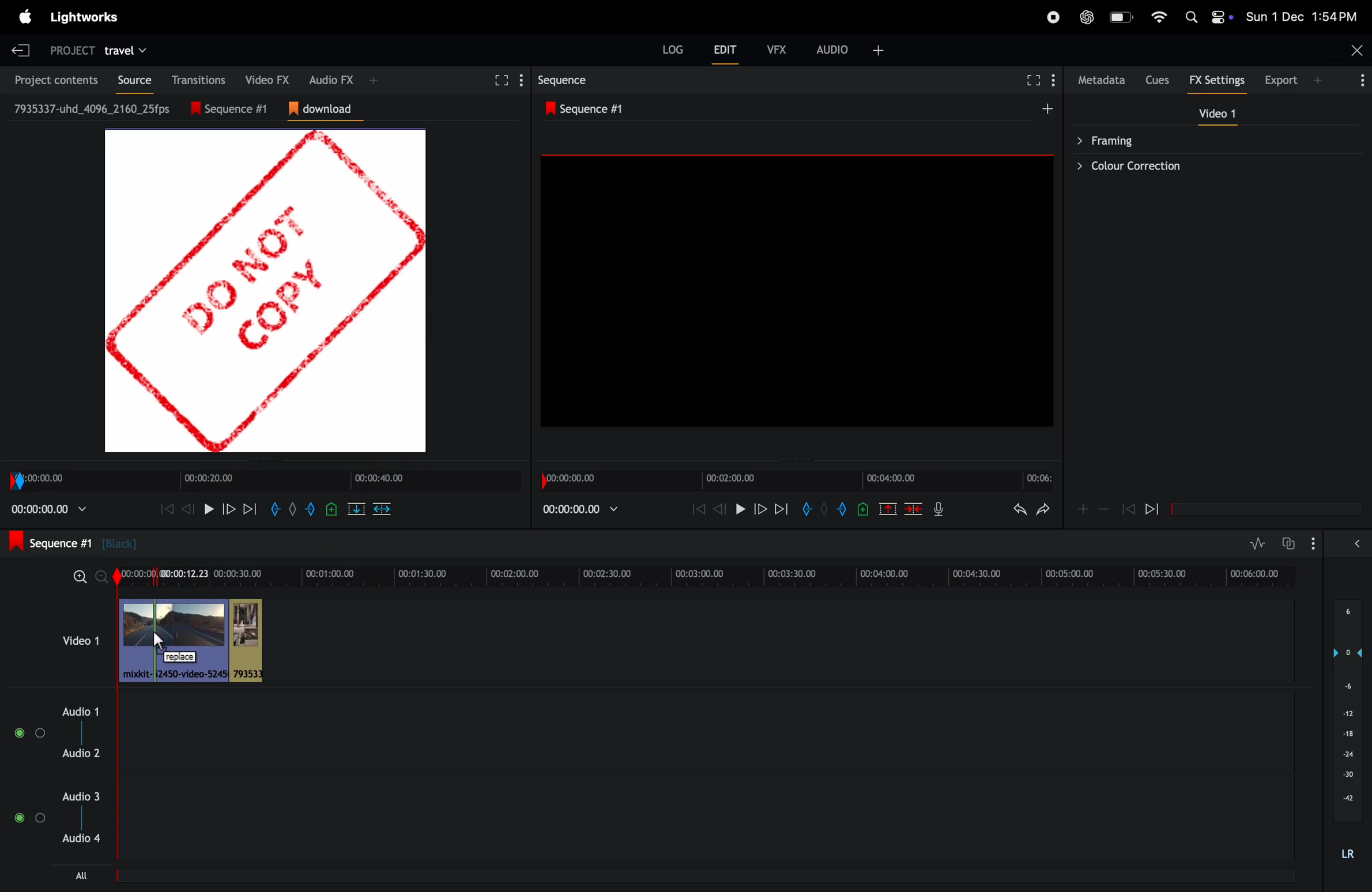 The image size is (1372, 892). What do you see at coordinates (29, 818) in the screenshot?
I see `options` at bounding box center [29, 818].